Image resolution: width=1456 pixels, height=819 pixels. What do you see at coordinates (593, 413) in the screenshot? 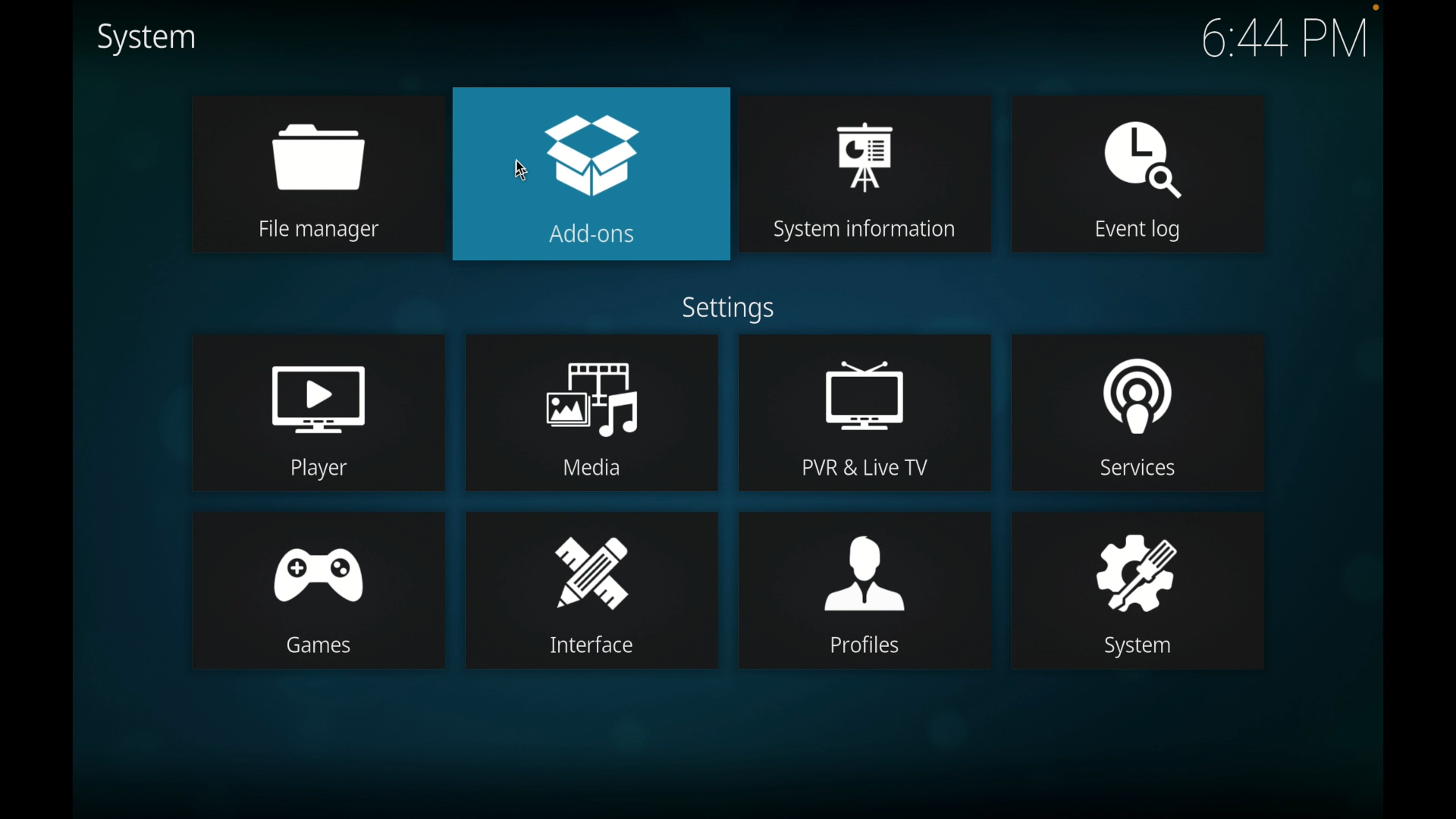
I see `media` at bounding box center [593, 413].